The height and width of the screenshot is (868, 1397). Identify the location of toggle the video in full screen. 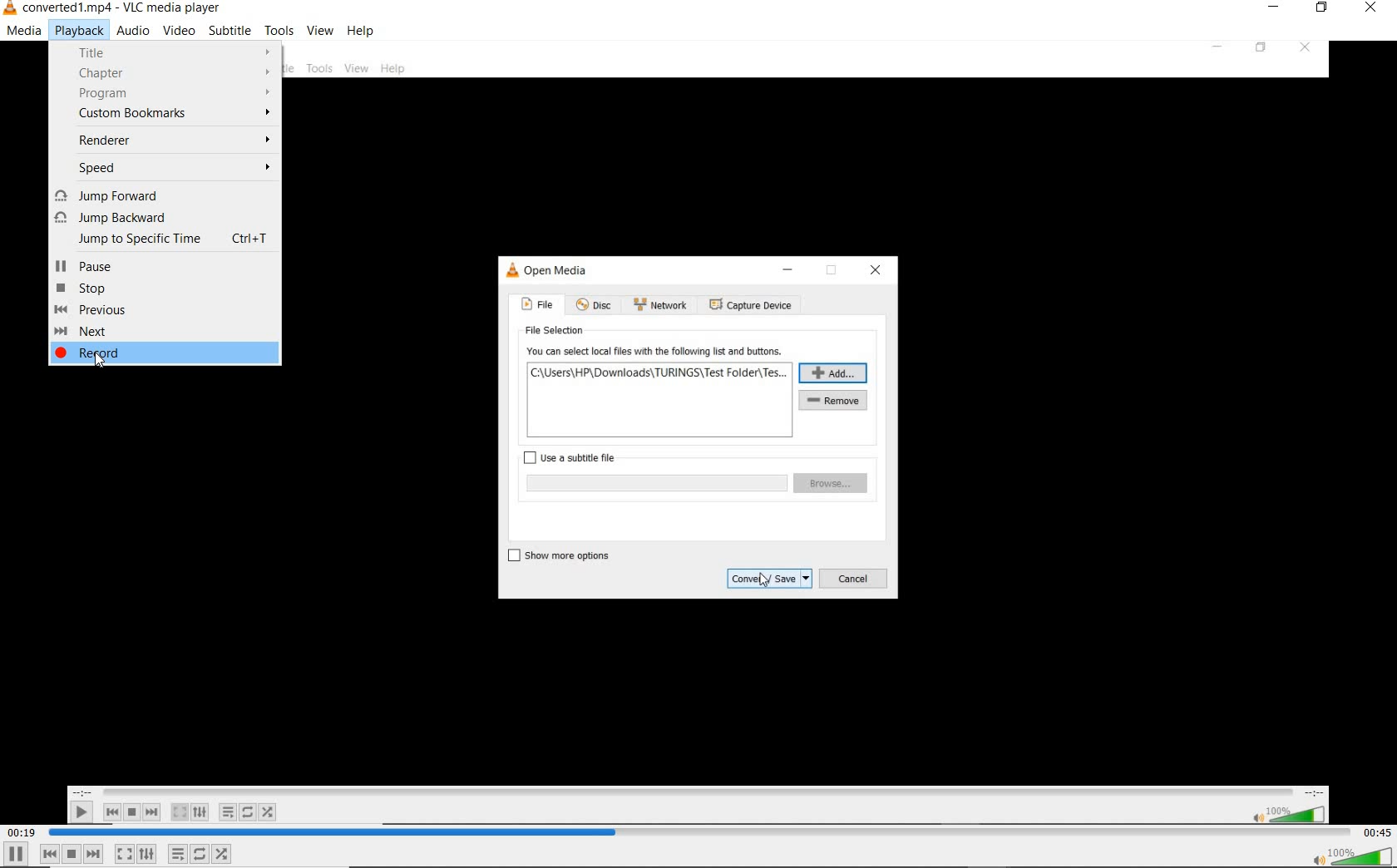
(124, 853).